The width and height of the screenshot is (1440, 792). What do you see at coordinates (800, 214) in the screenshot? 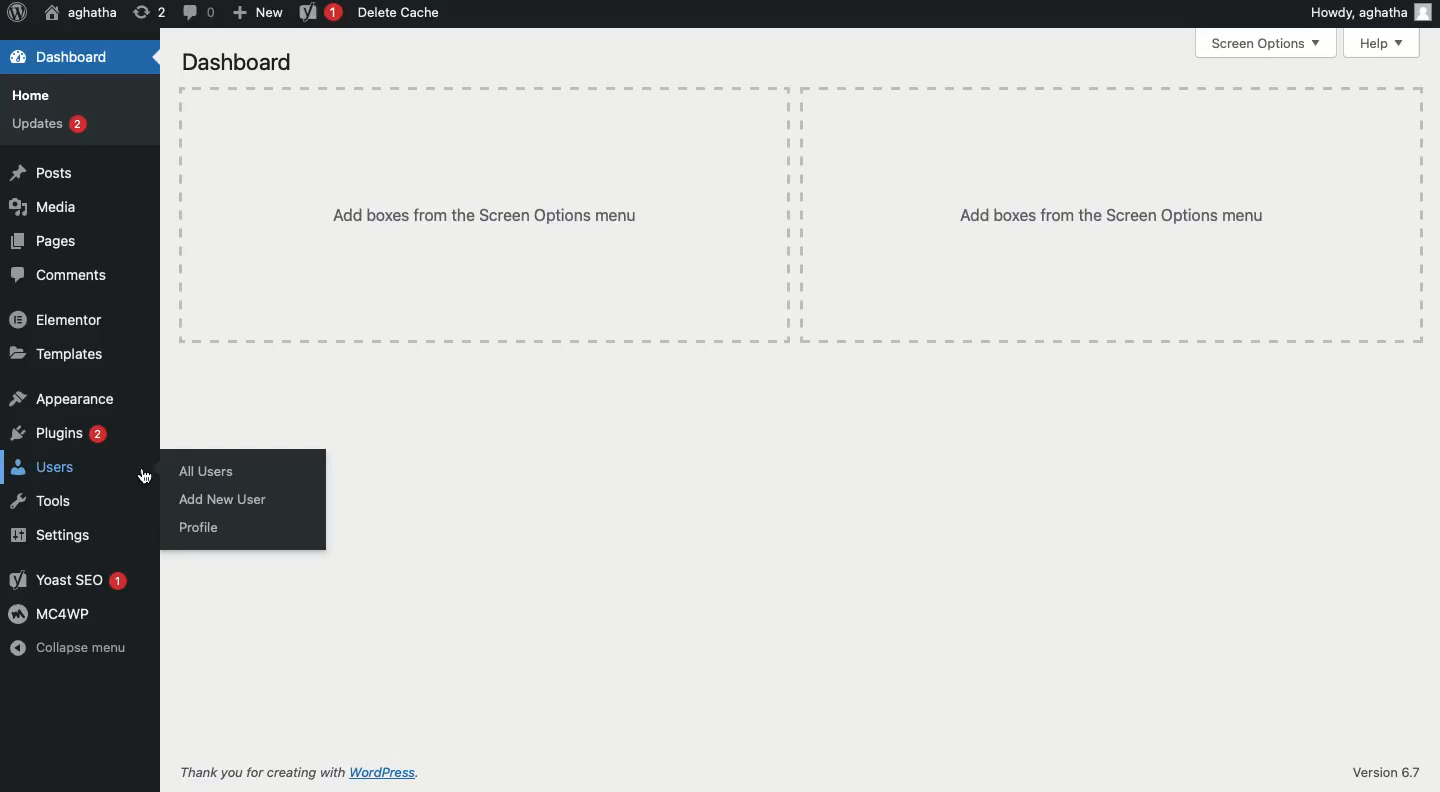
I see `Add boxes from the screen options menu` at bounding box center [800, 214].